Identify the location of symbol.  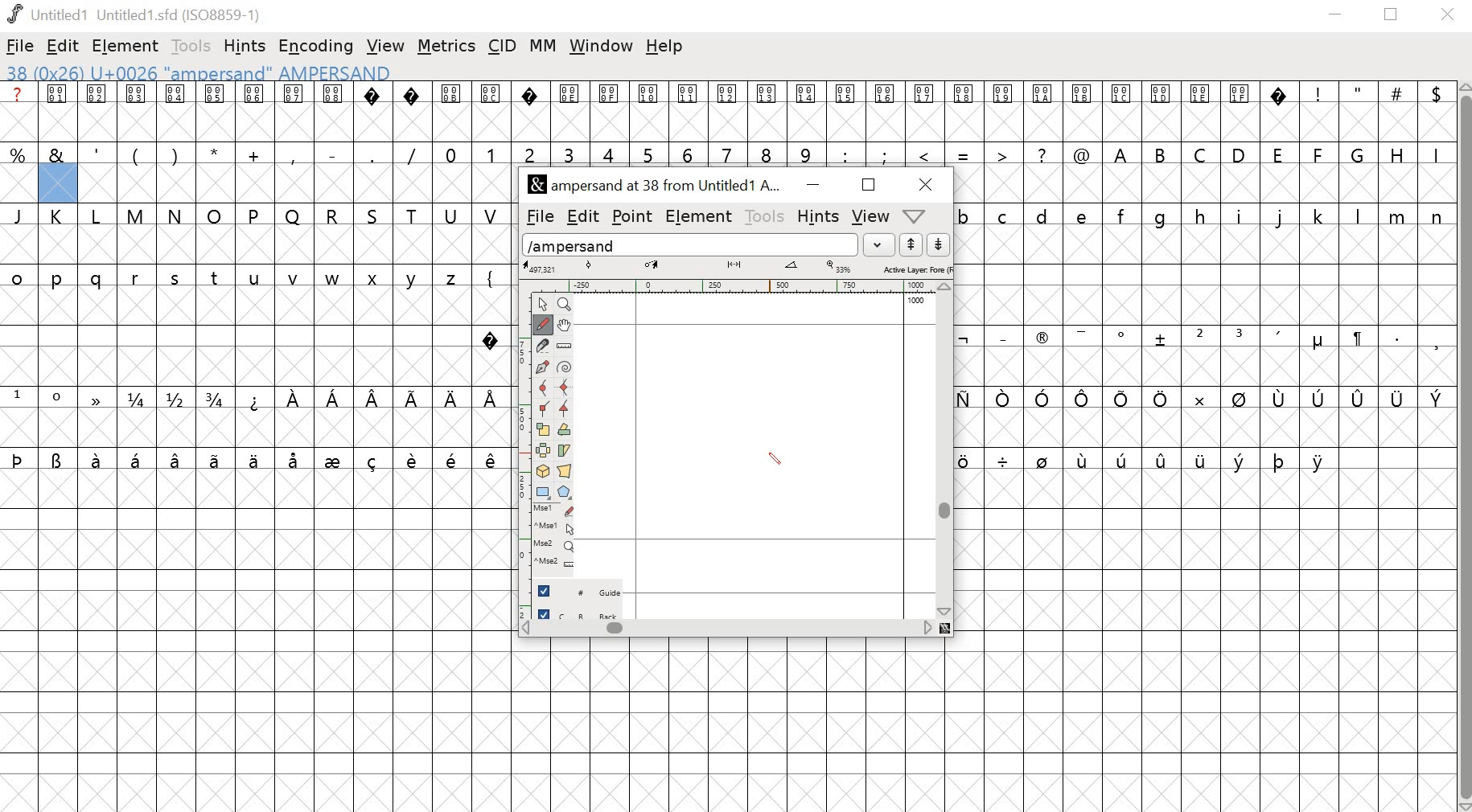
(1197, 397).